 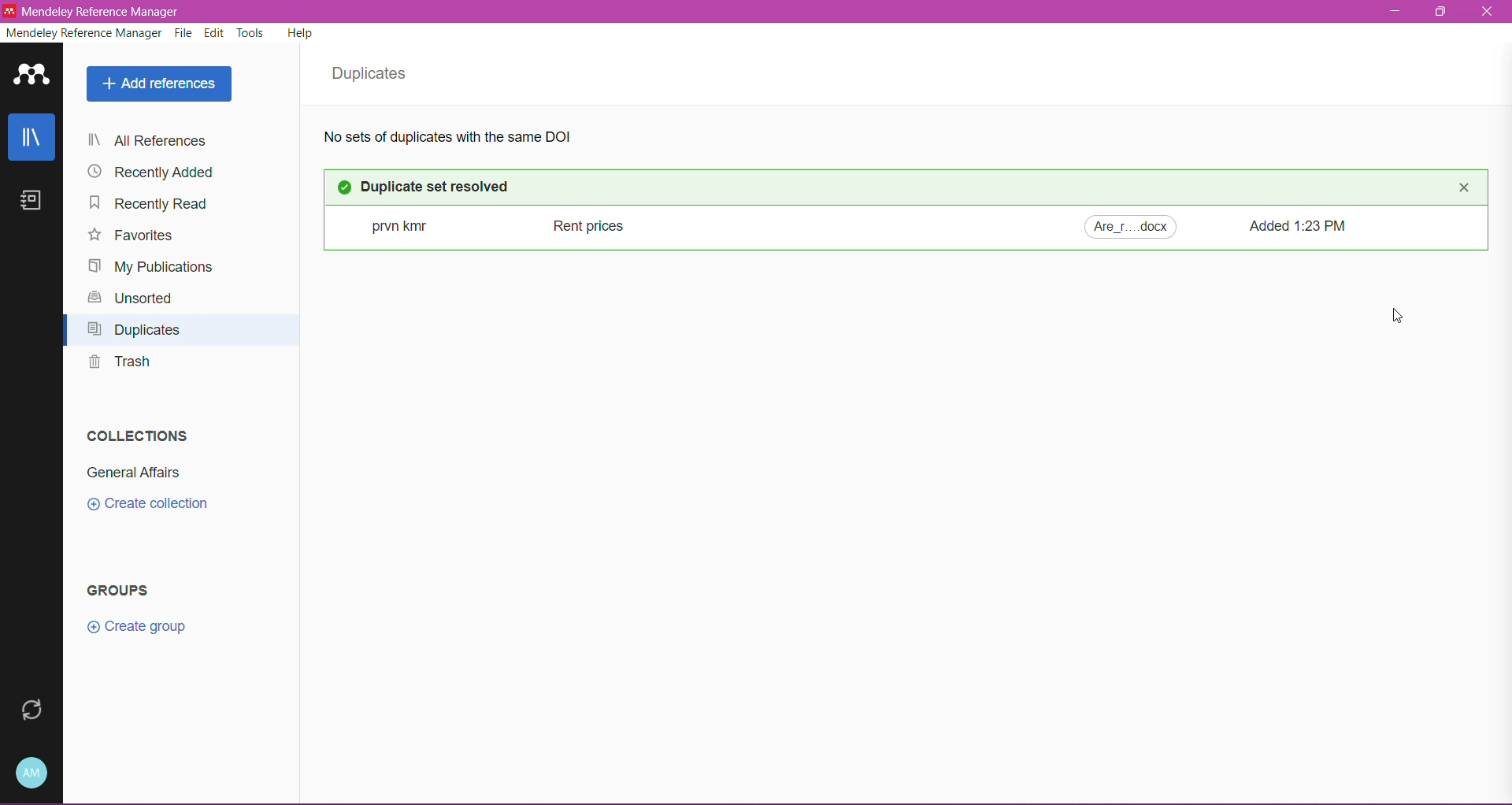 I want to click on All References, so click(x=176, y=142).